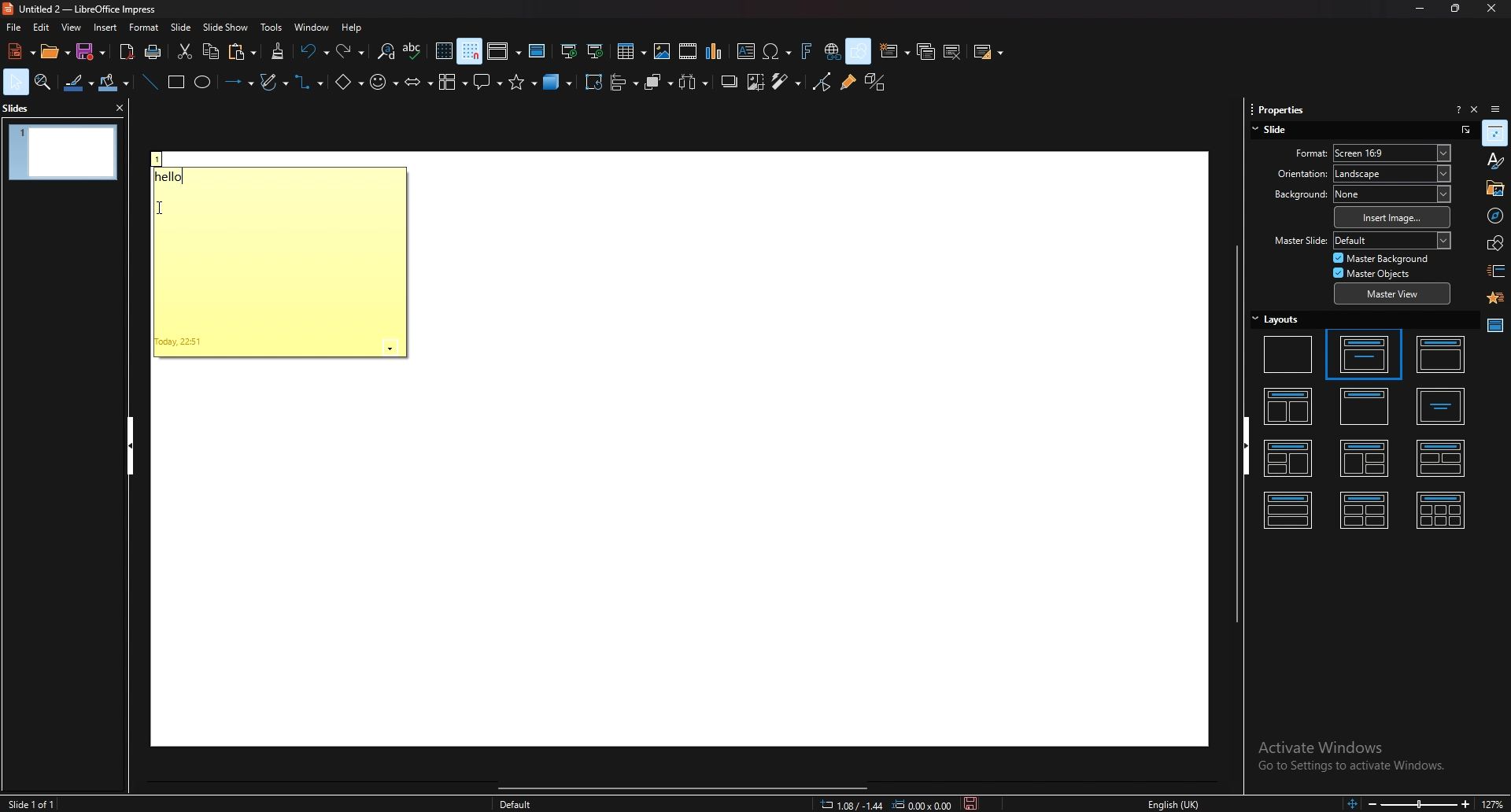  Describe the element at coordinates (237, 80) in the screenshot. I see `lines and arrows` at that location.